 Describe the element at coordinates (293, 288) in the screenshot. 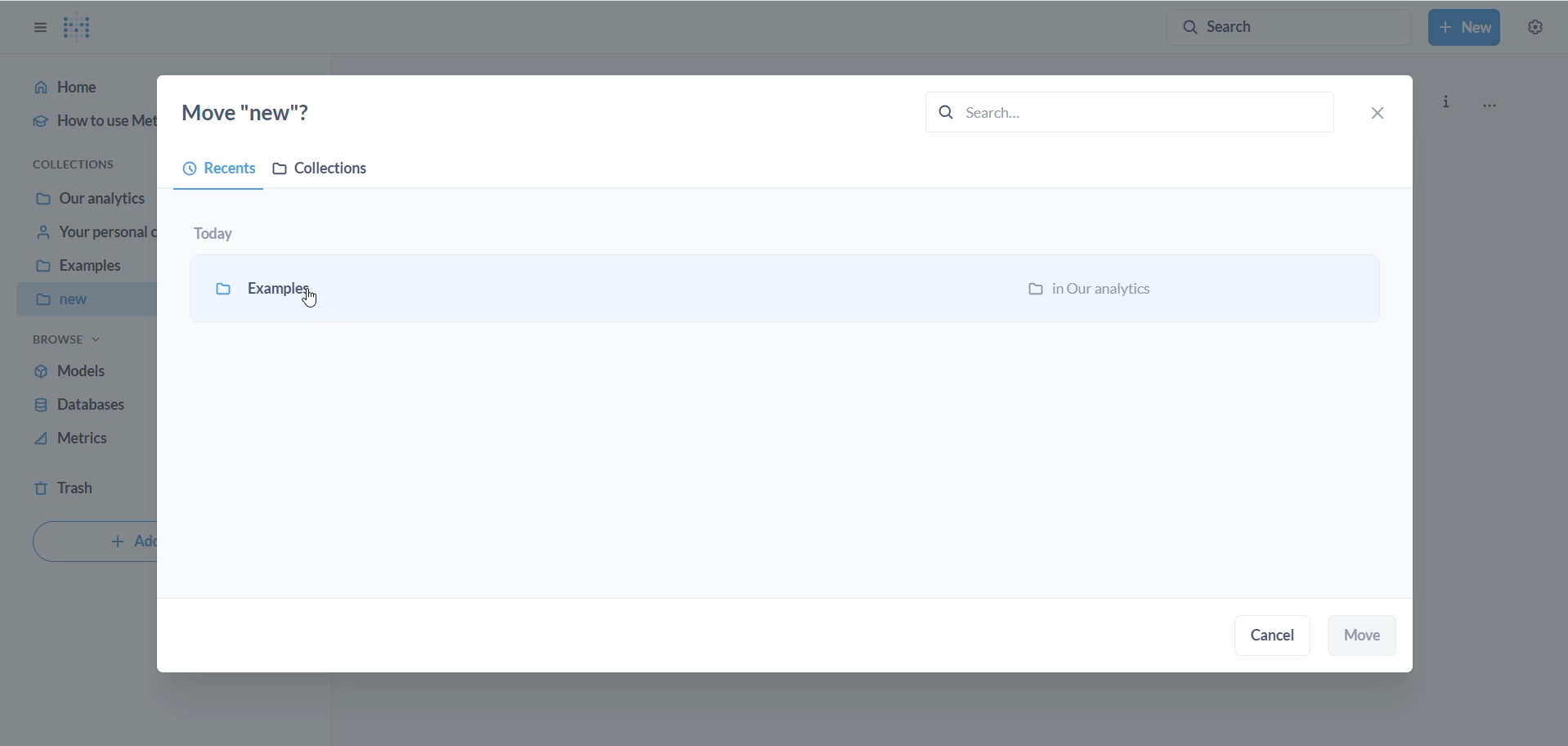

I see `examples` at that location.